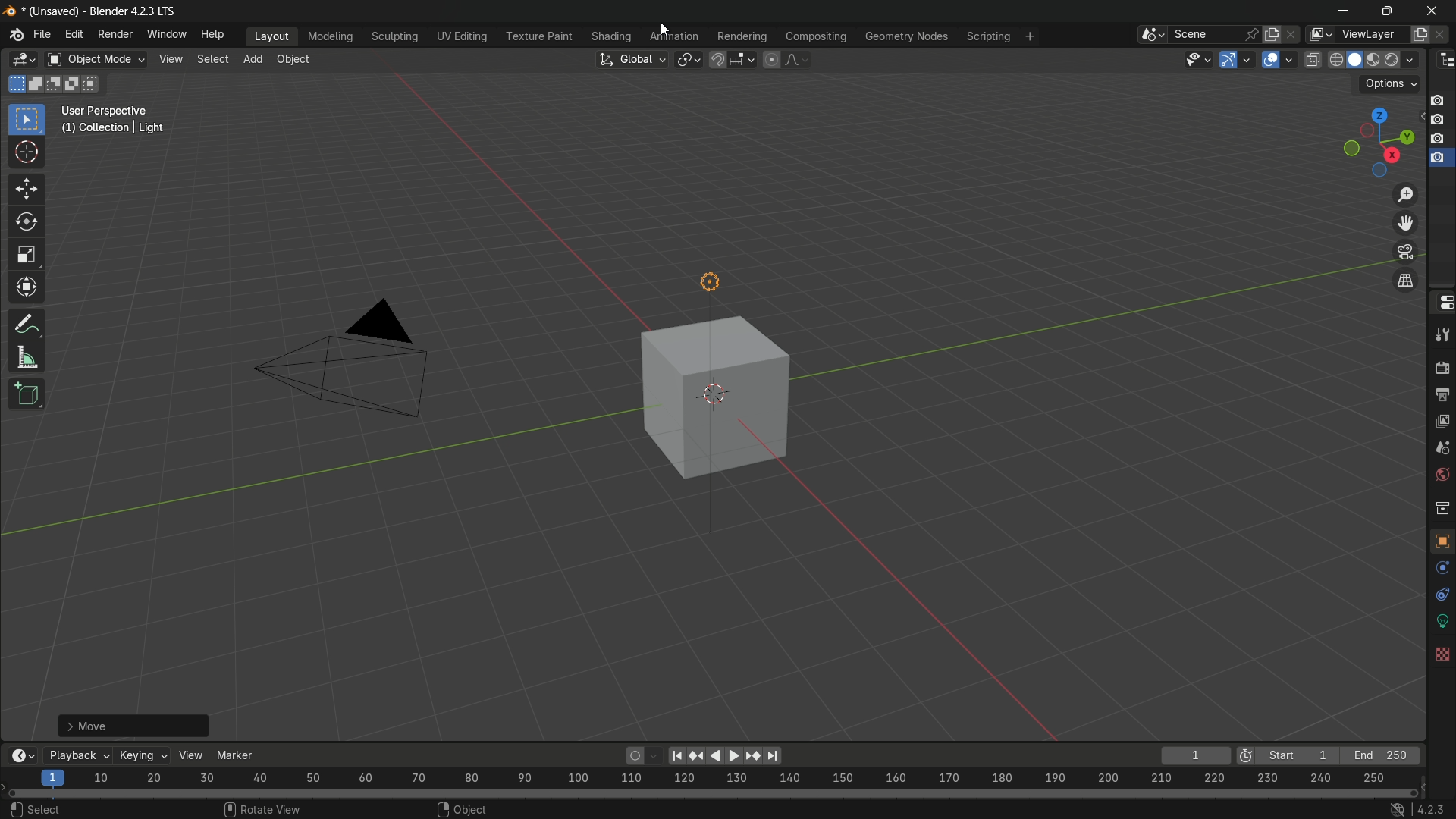 This screenshot has height=819, width=1456. Describe the element at coordinates (1404, 252) in the screenshot. I see `toggle the camera view` at that location.